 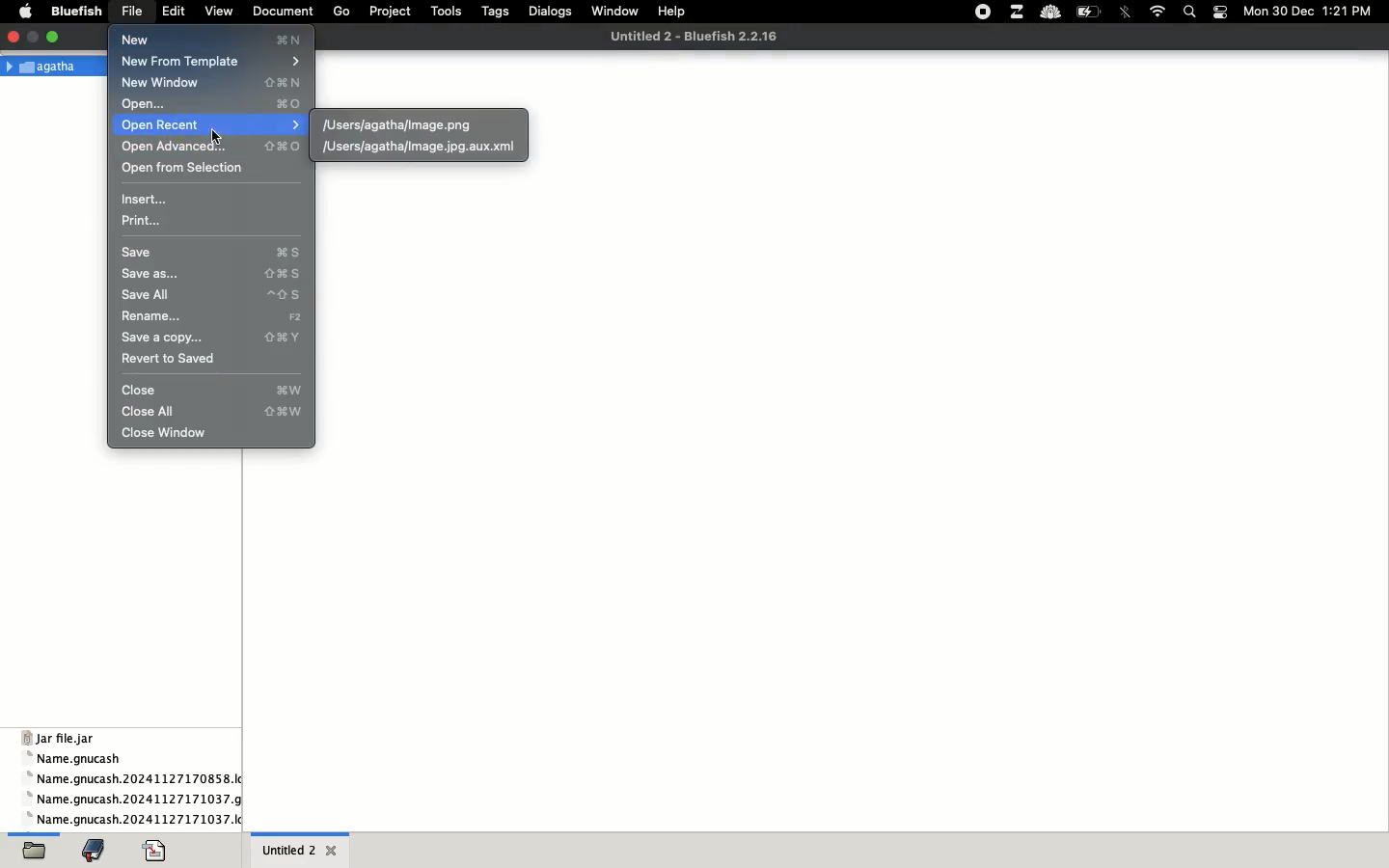 I want to click on name gnucash, so click(x=134, y=779).